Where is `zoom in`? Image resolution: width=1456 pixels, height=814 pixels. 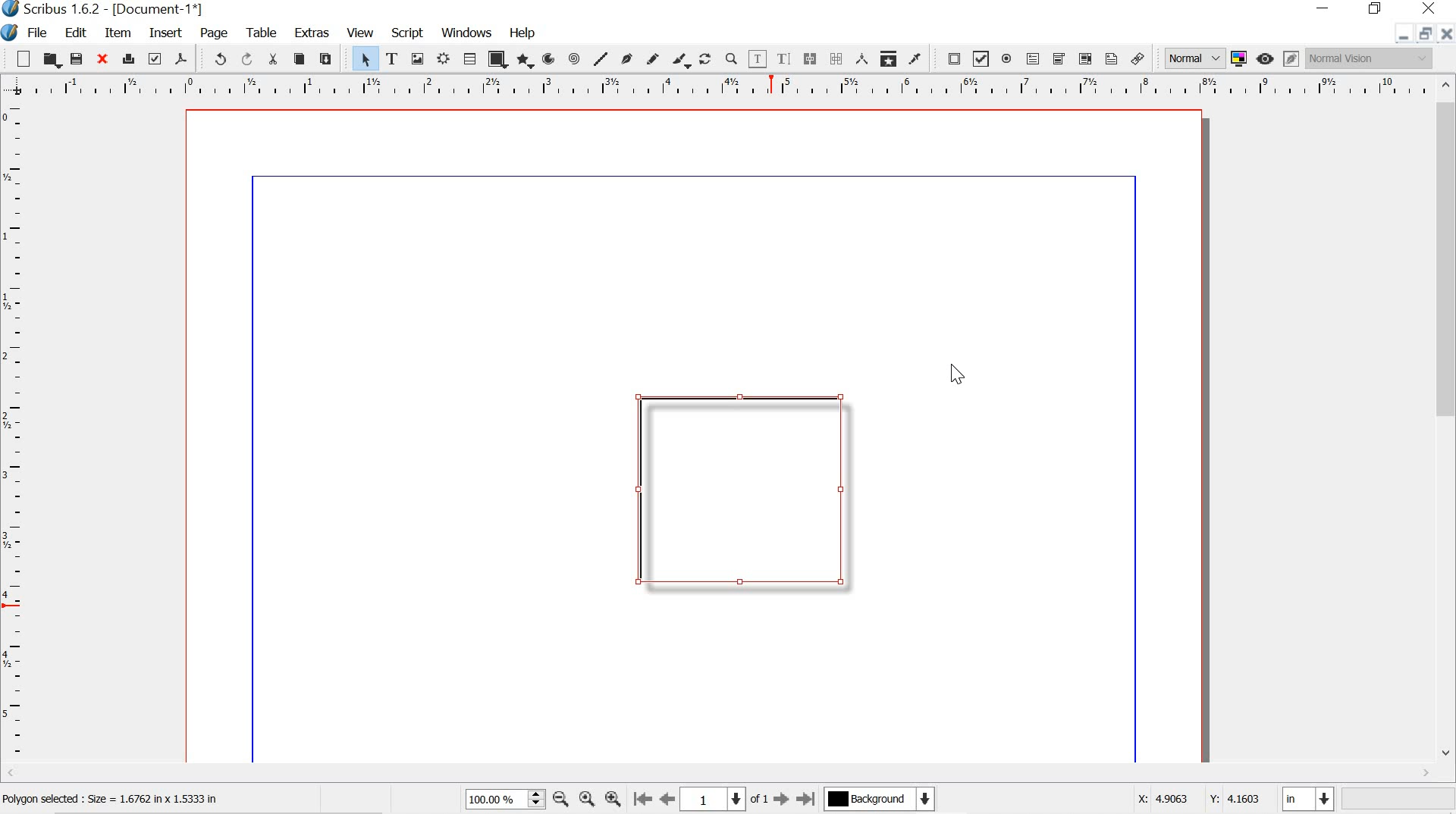
zoom in is located at coordinates (613, 796).